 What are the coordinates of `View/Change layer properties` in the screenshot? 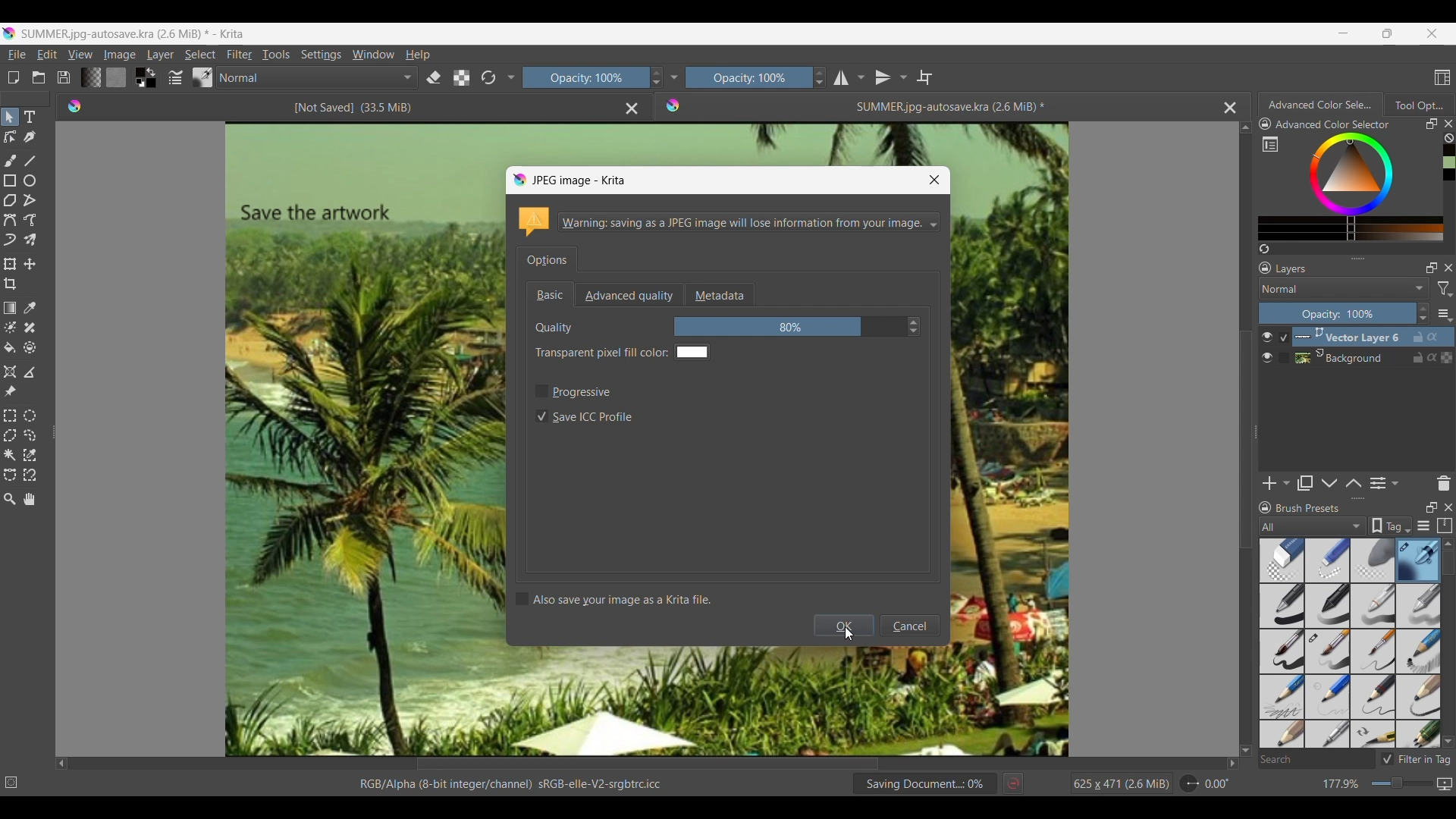 It's located at (1384, 483).